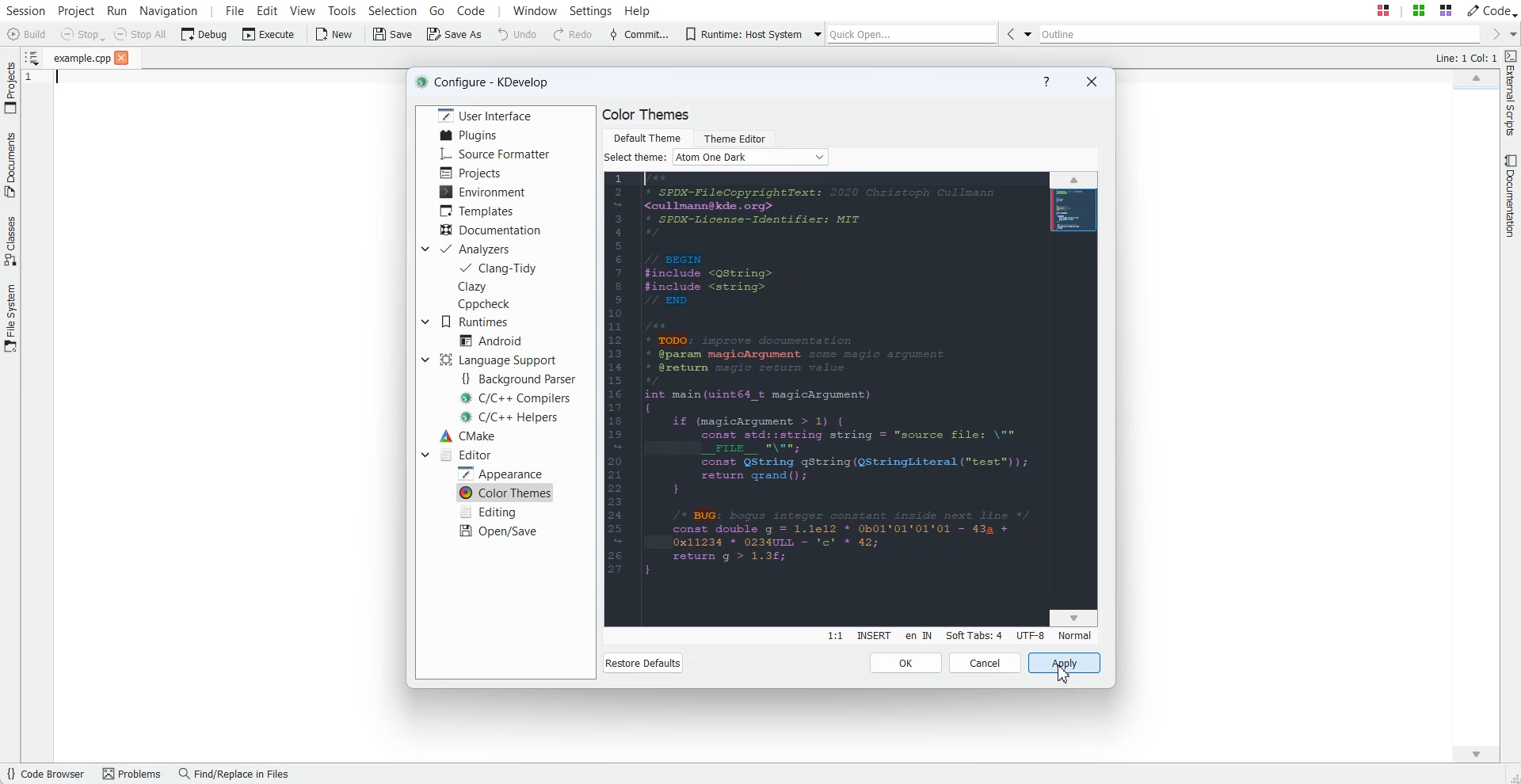 The image size is (1521, 784). I want to click on Background theme changed dark, so click(851, 400).